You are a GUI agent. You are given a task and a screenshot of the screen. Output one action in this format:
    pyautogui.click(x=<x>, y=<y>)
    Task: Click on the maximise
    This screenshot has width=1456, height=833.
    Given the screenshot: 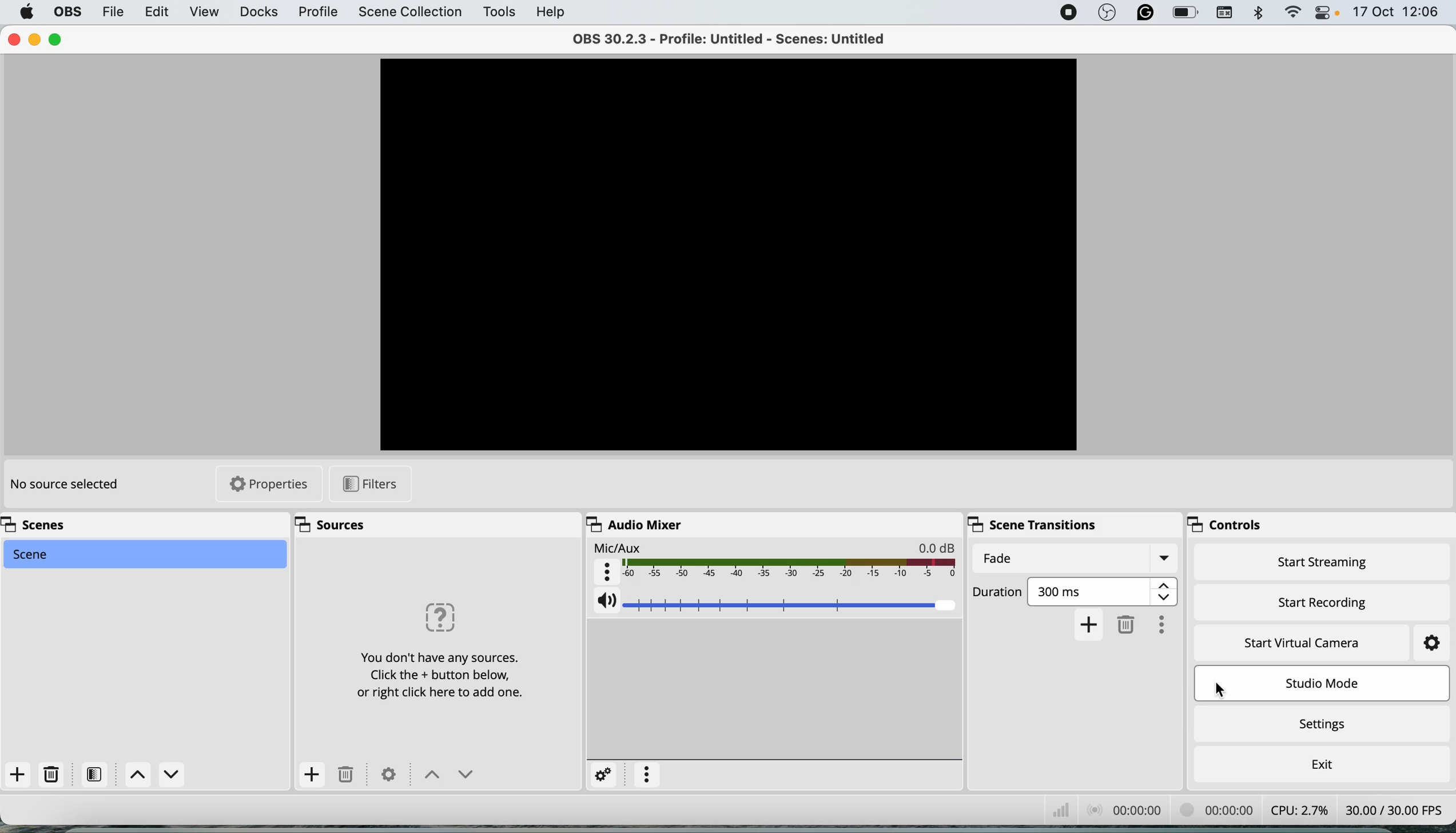 What is the action you would take?
    pyautogui.click(x=59, y=39)
    